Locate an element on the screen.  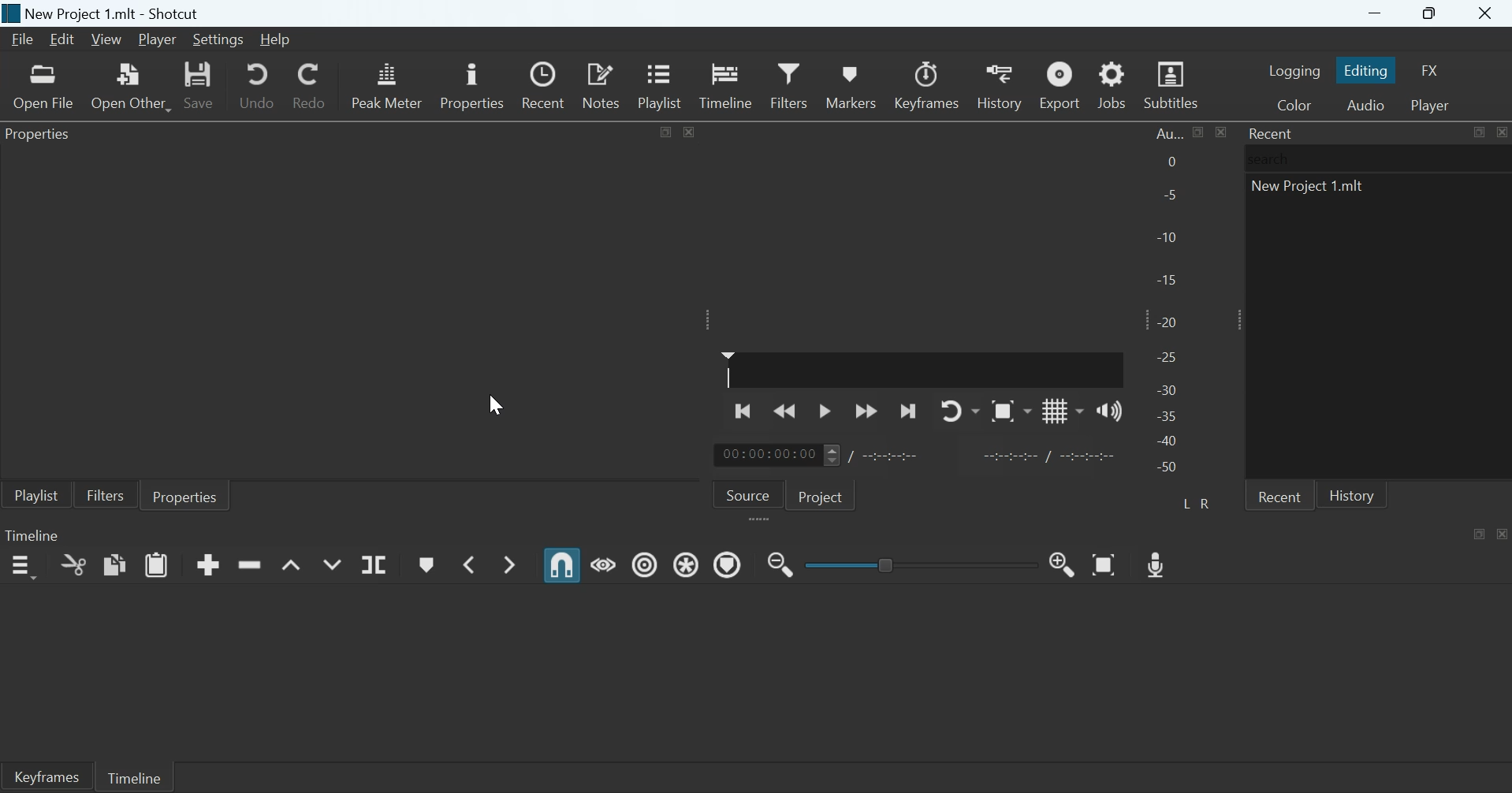
Maximize is located at coordinates (1478, 132).